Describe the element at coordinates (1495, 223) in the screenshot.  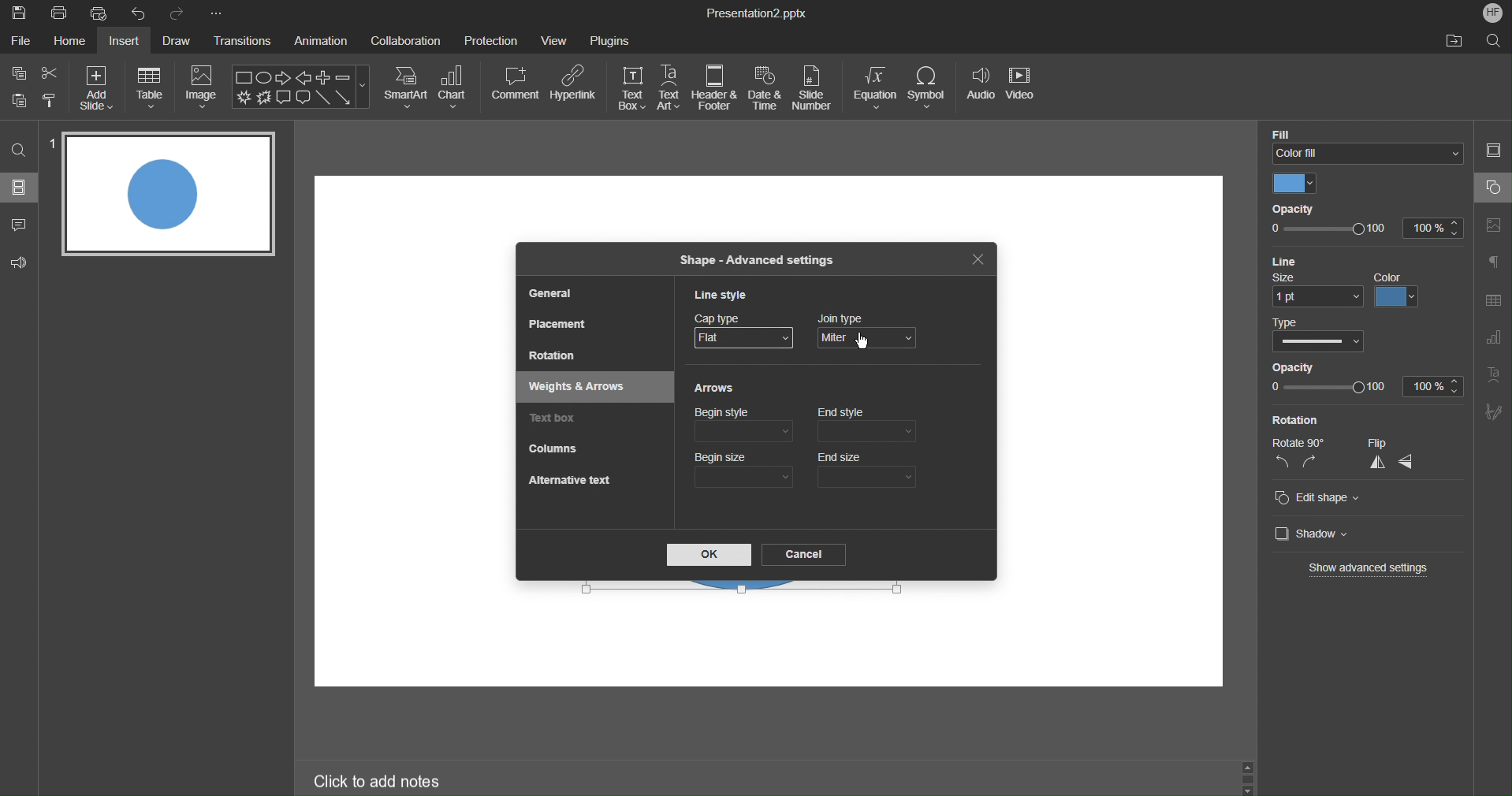
I see `Image Settings` at that location.